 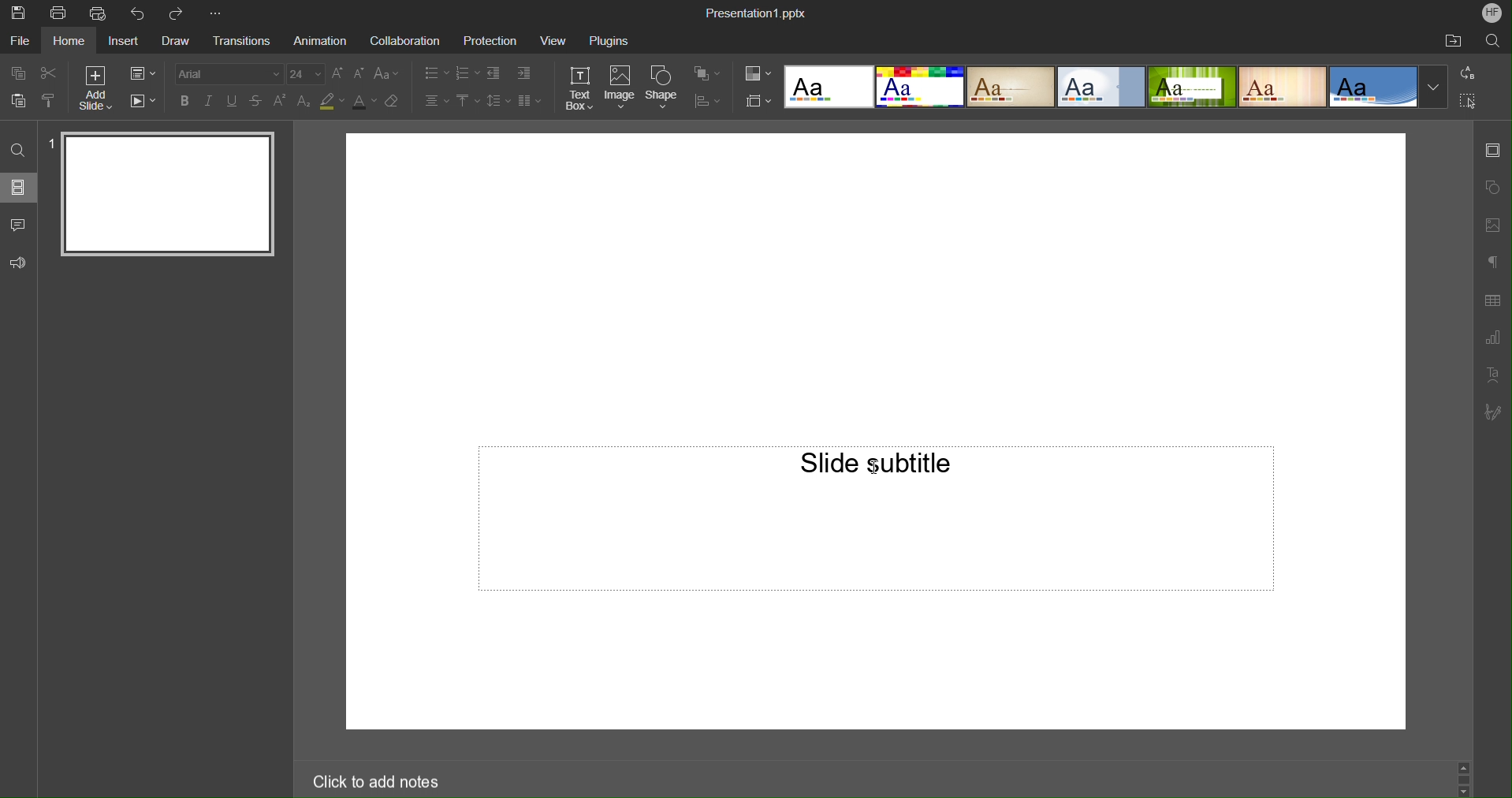 What do you see at coordinates (437, 73) in the screenshot?
I see `Bullets` at bounding box center [437, 73].